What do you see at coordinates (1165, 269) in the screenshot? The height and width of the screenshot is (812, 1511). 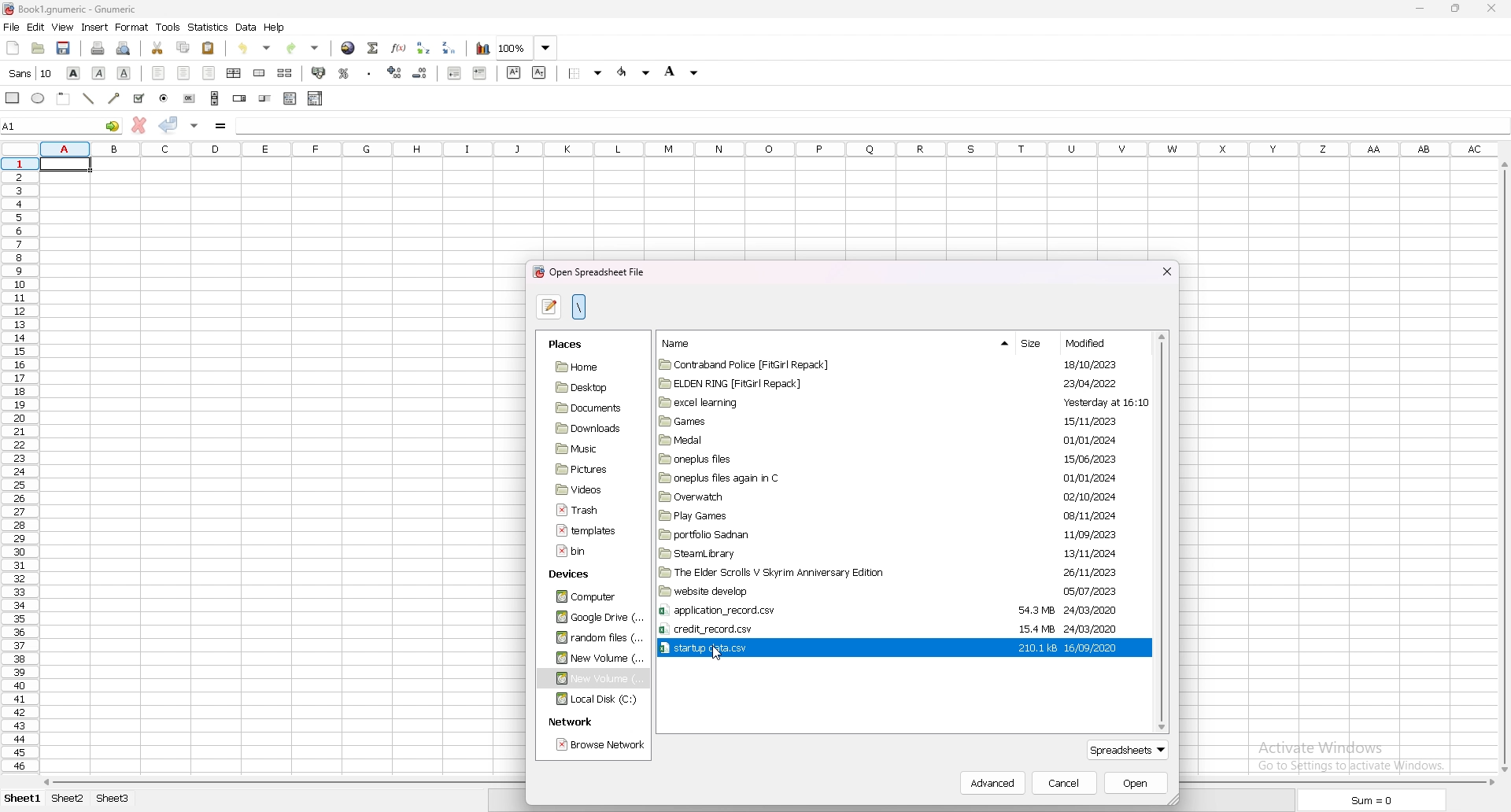 I see `close` at bounding box center [1165, 269].